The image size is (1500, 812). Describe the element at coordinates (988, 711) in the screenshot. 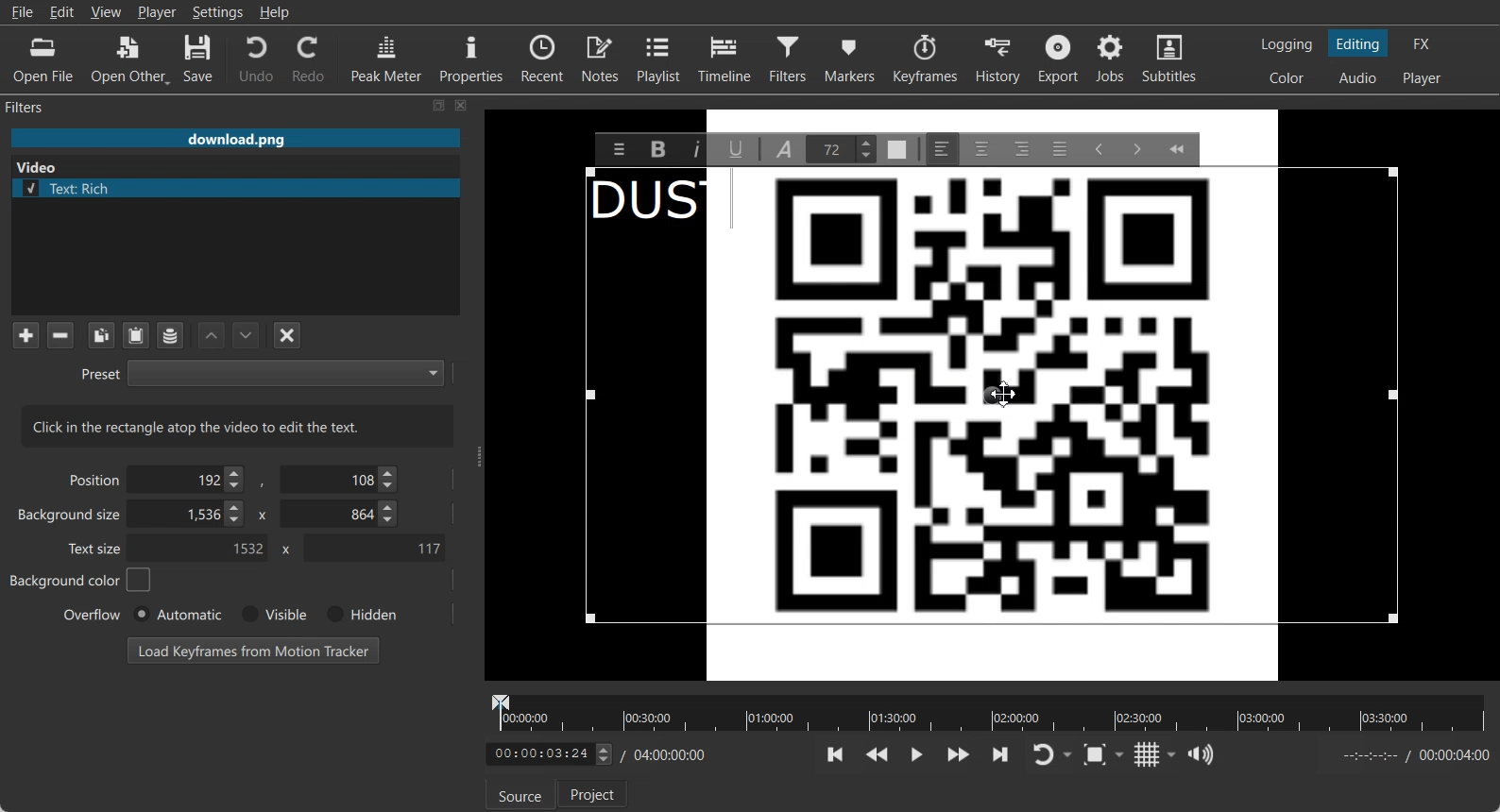

I see `Video timeline` at that location.